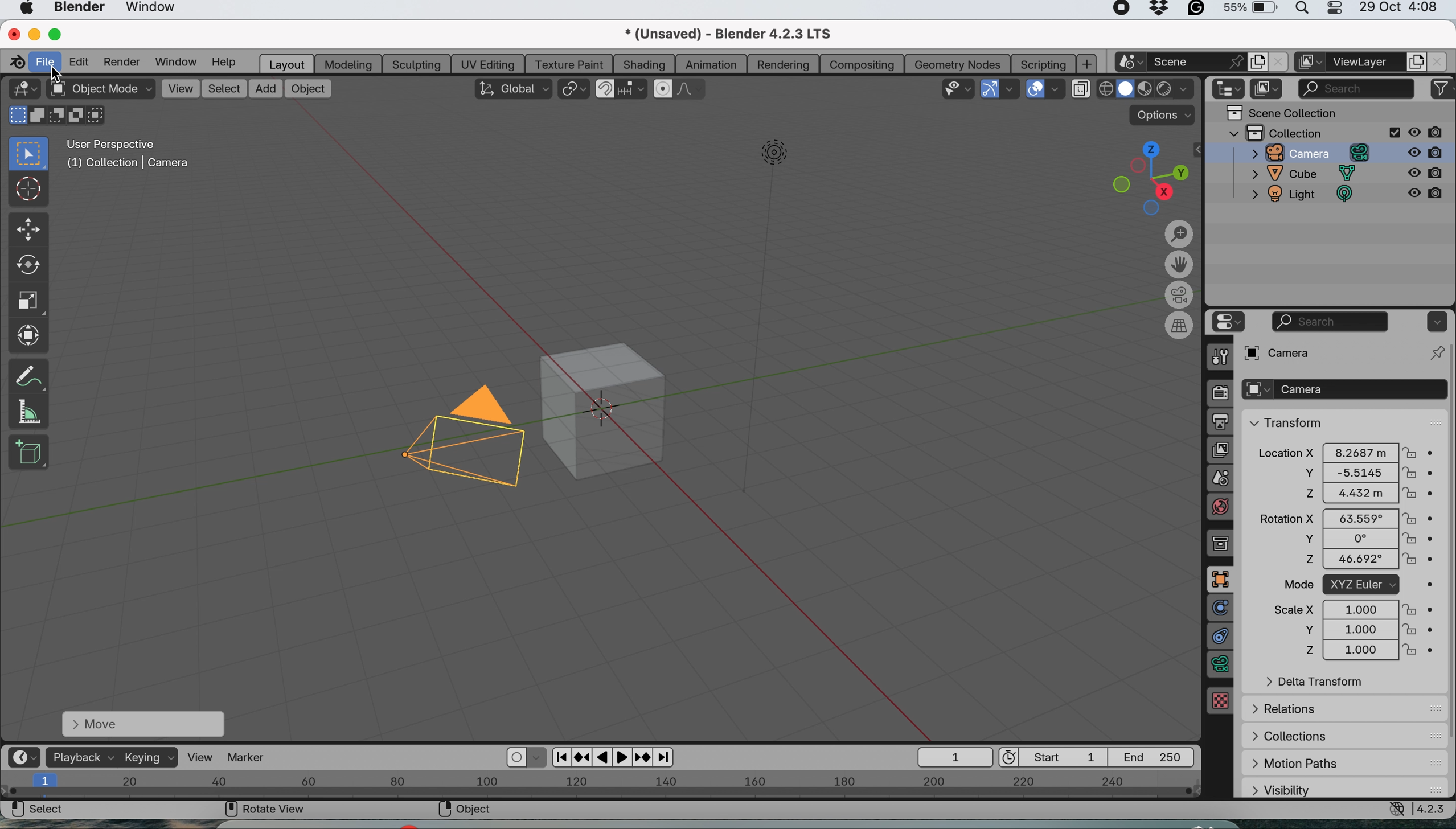 The image size is (1456, 829). What do you see at coordinates (1331, 322) in the screenshot?
I see `search` at bounding box center [1331, 322].